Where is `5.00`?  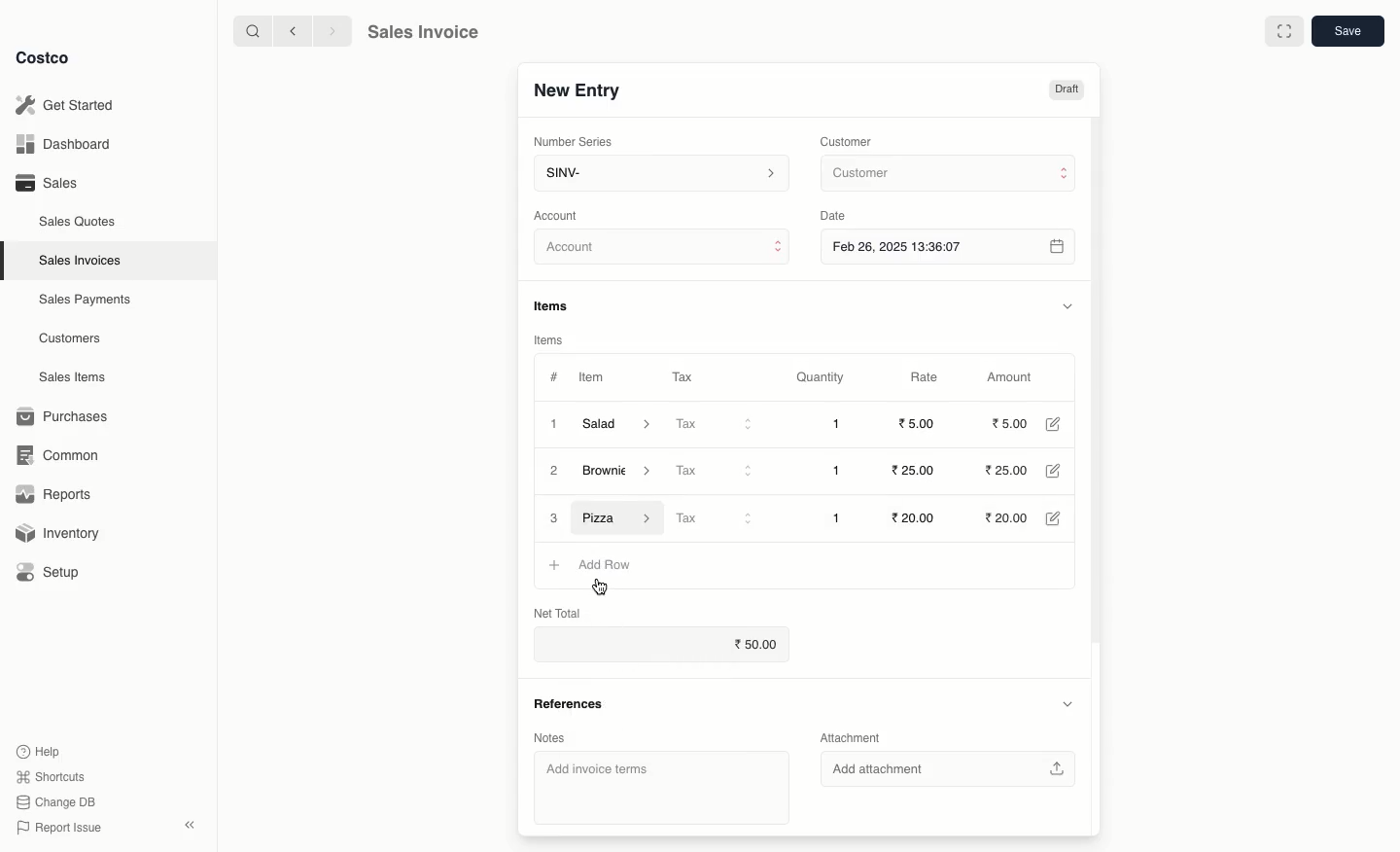 5.00 is located at coordinates (1010, 423).